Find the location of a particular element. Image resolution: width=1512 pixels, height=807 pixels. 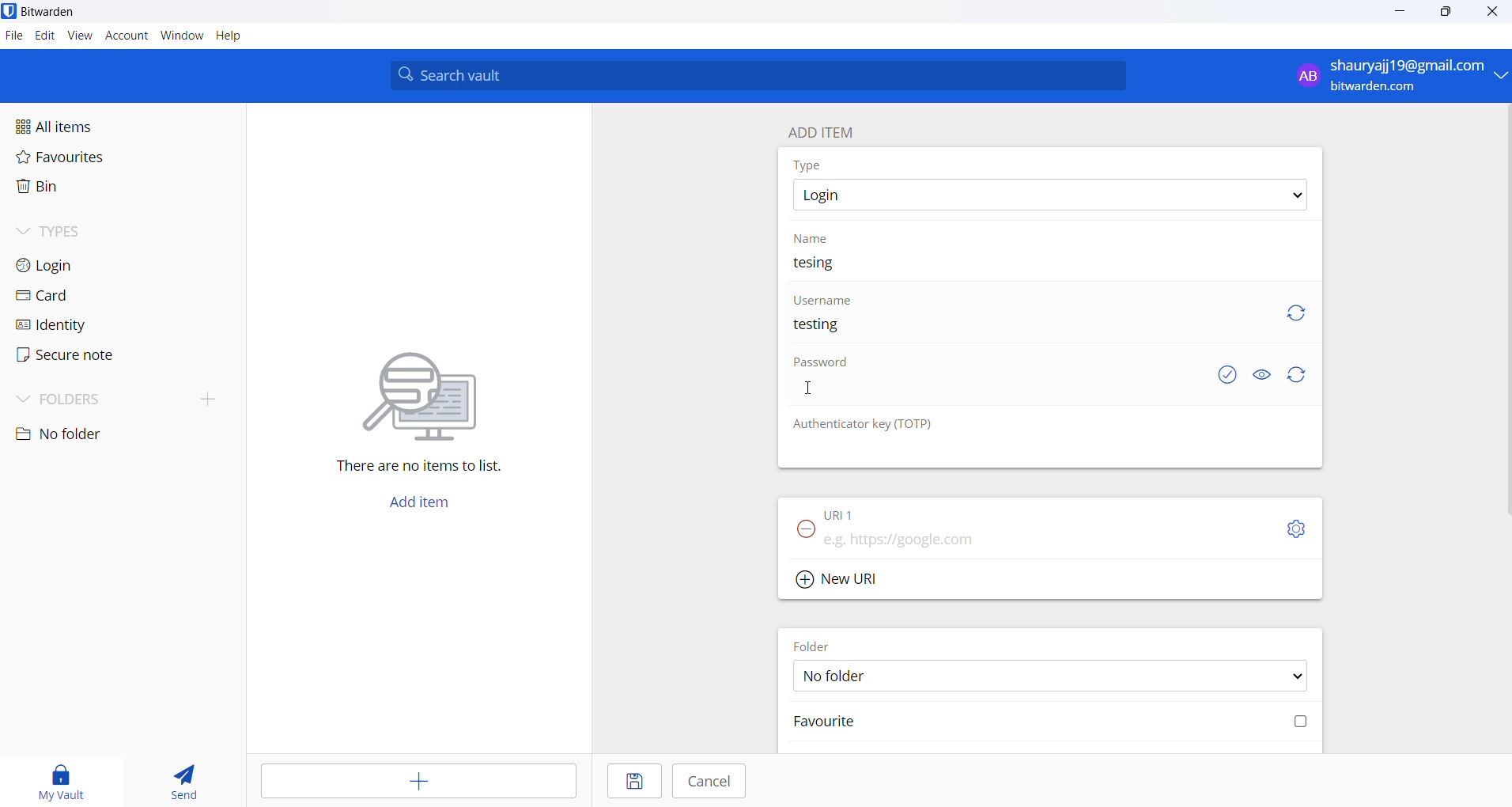

generate password is located at coordinates (1300, 376).